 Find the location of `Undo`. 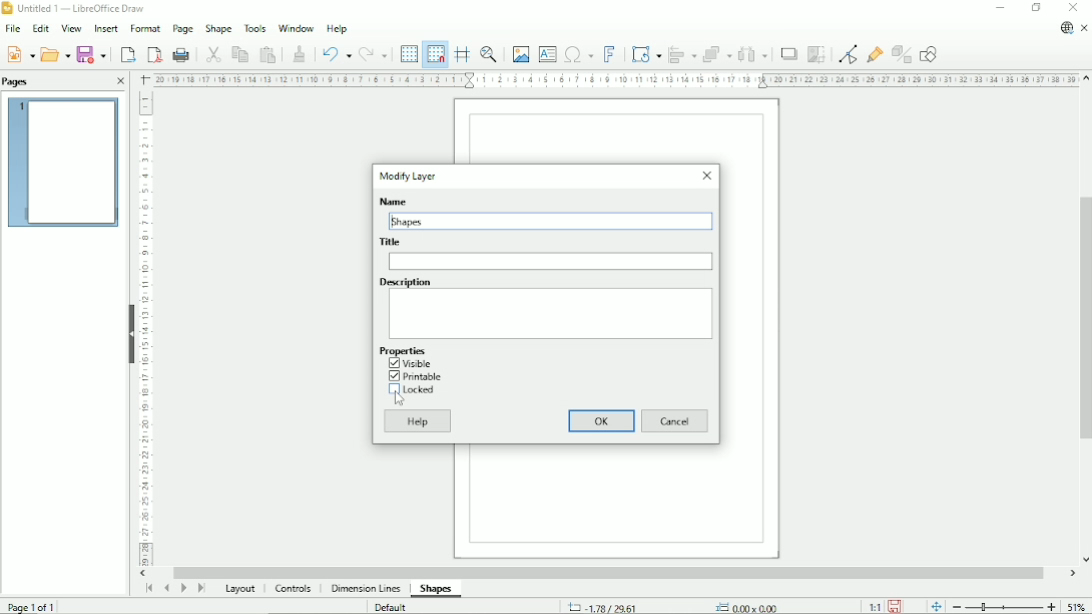

Undo is located at coordinates (335, 52).